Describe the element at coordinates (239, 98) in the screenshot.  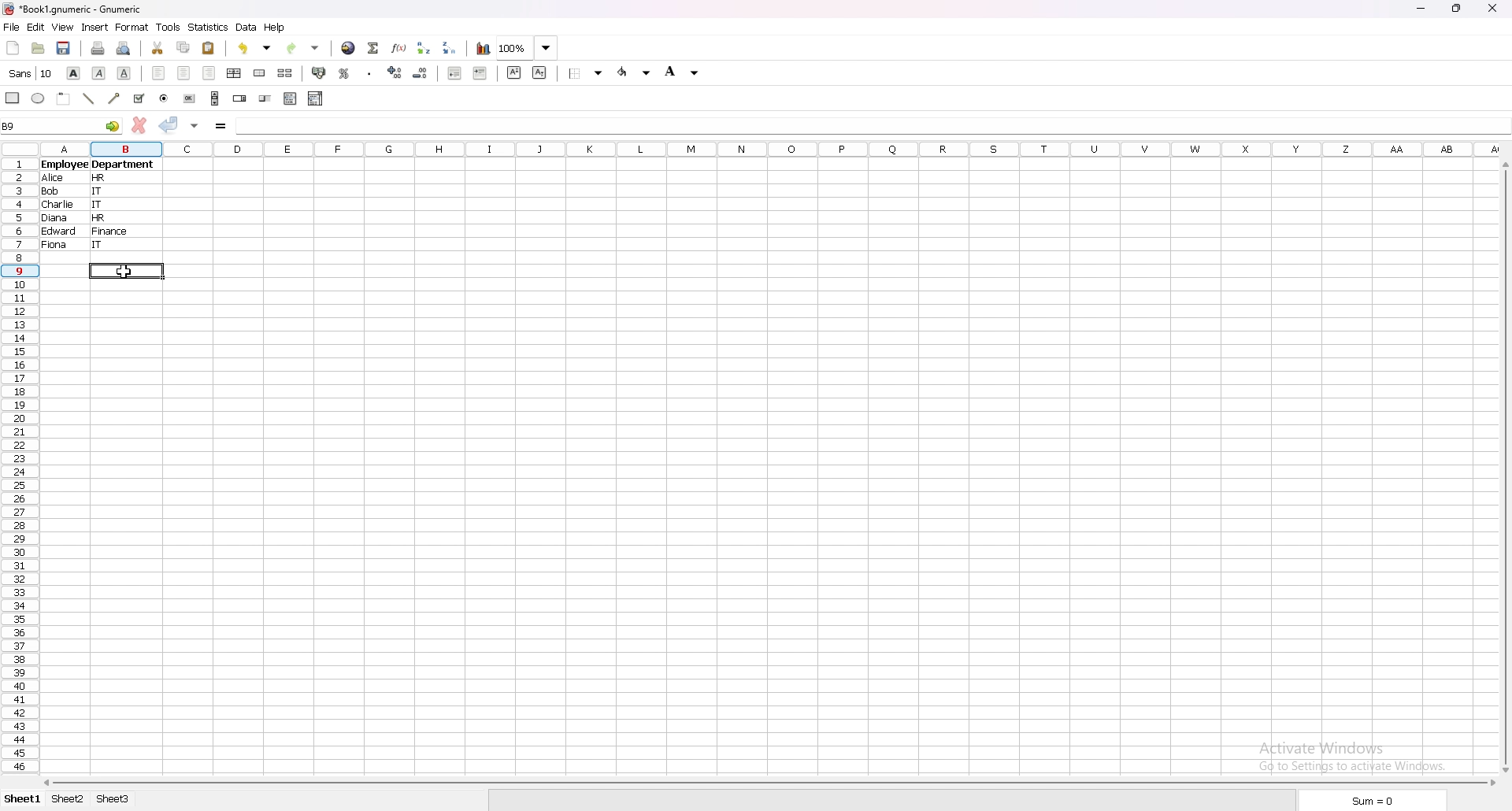
I see `spin button` at that location.